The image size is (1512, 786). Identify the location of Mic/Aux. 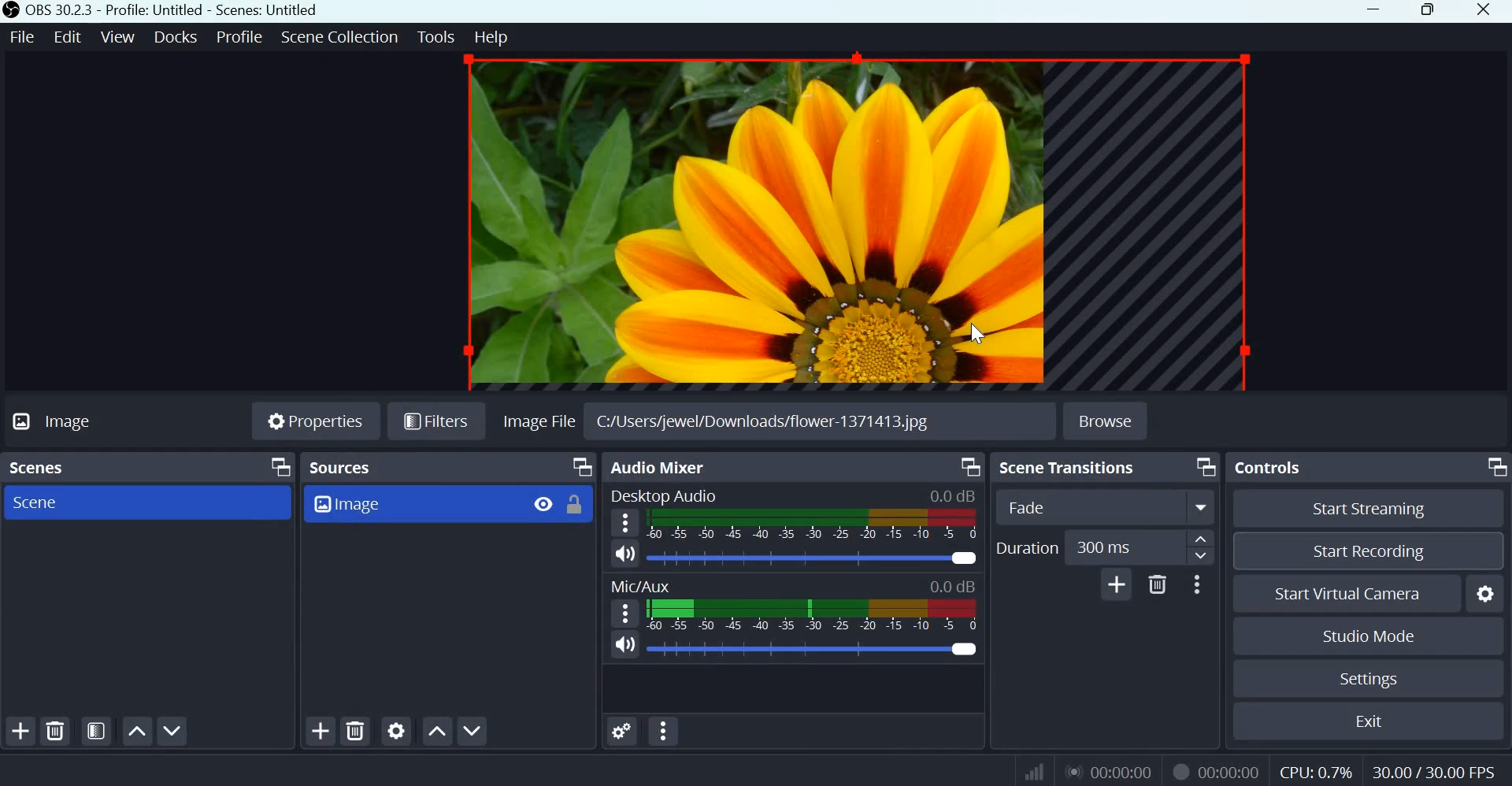
(639, 586).